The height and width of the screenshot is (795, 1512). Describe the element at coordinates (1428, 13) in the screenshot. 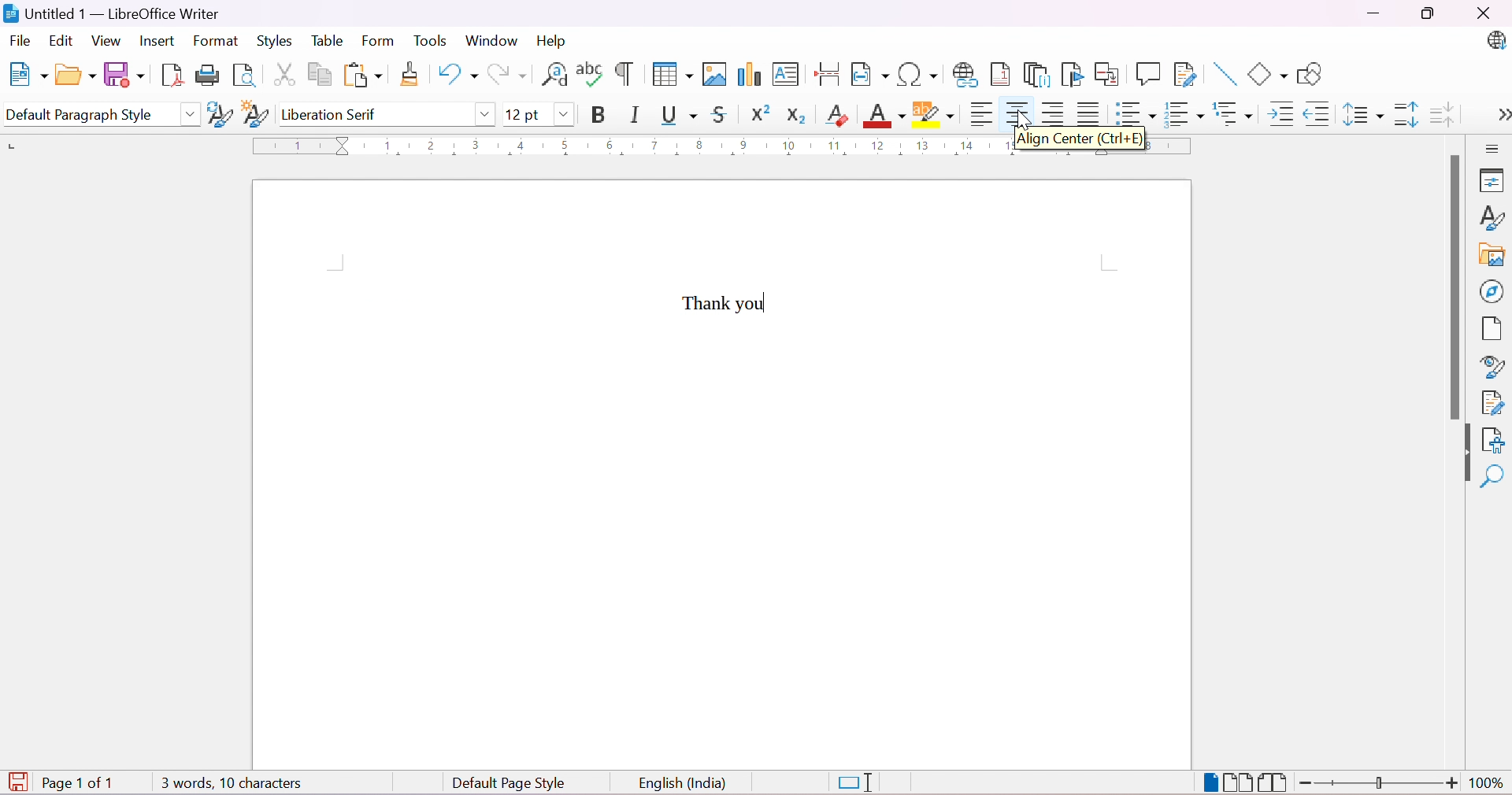

I see `Restore Down` at that location.